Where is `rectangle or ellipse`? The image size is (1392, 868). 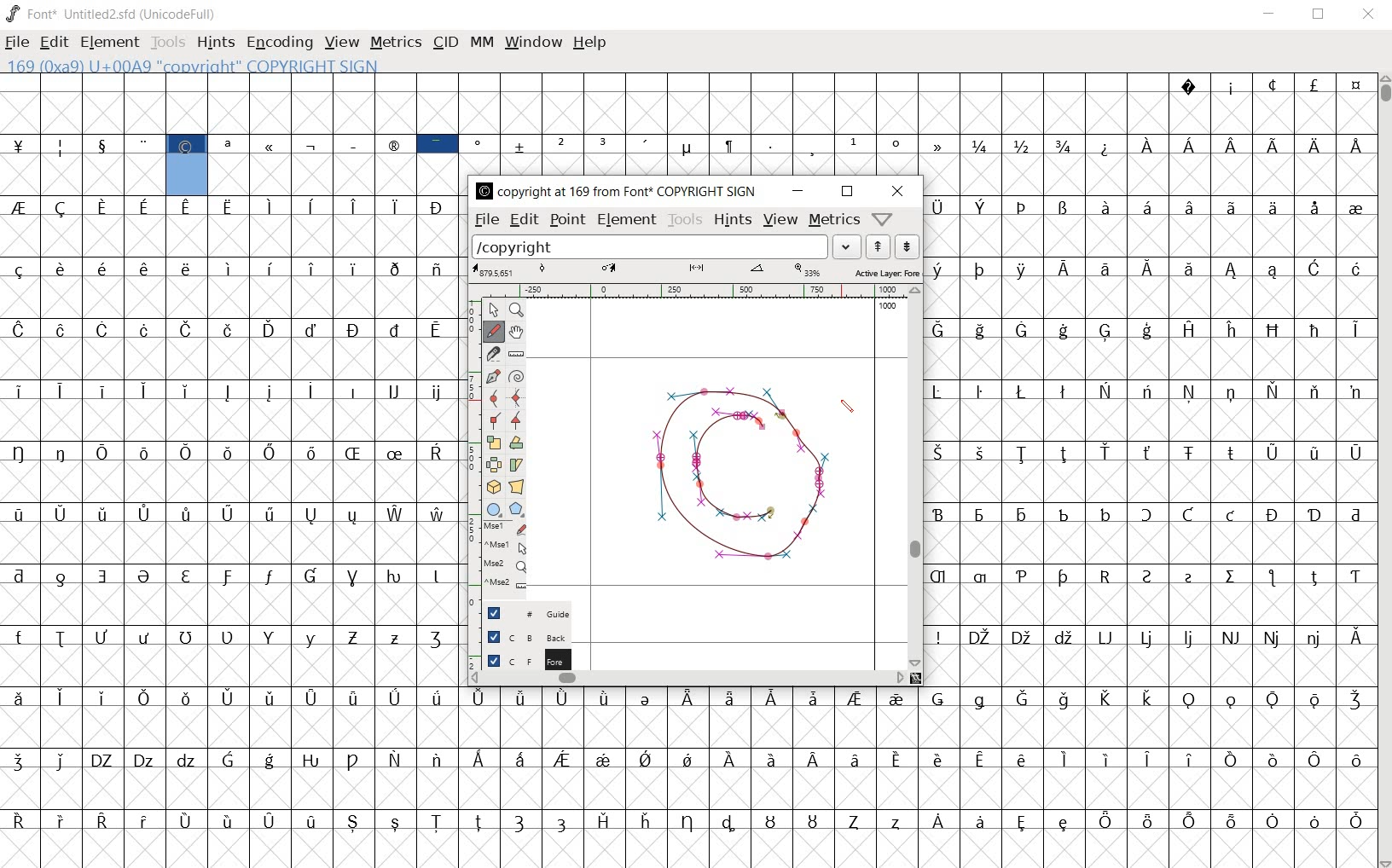
rectangle or ellipse is located at coordinates (494, 508).